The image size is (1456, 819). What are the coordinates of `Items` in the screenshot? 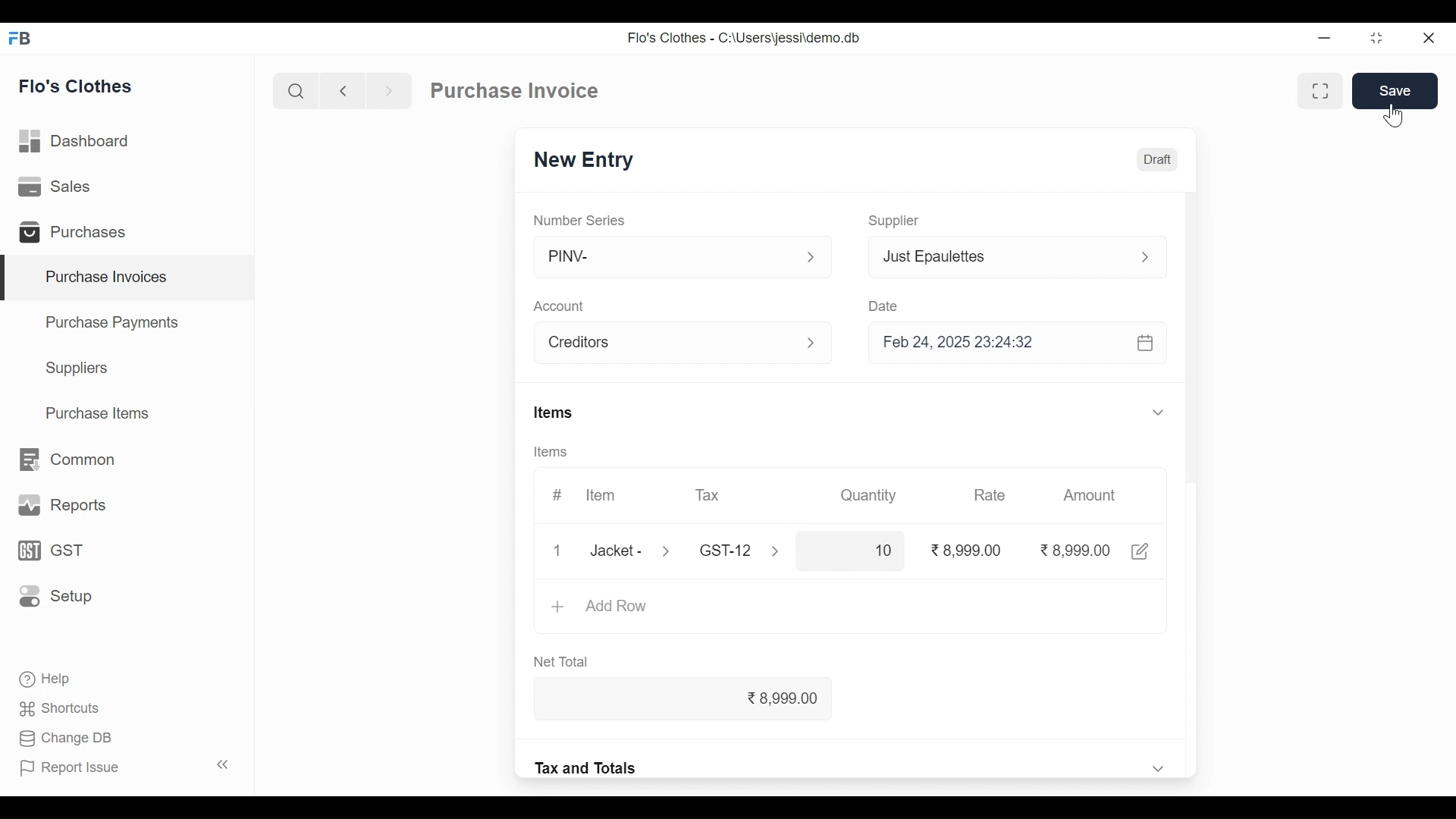 It's located at (553, 412).